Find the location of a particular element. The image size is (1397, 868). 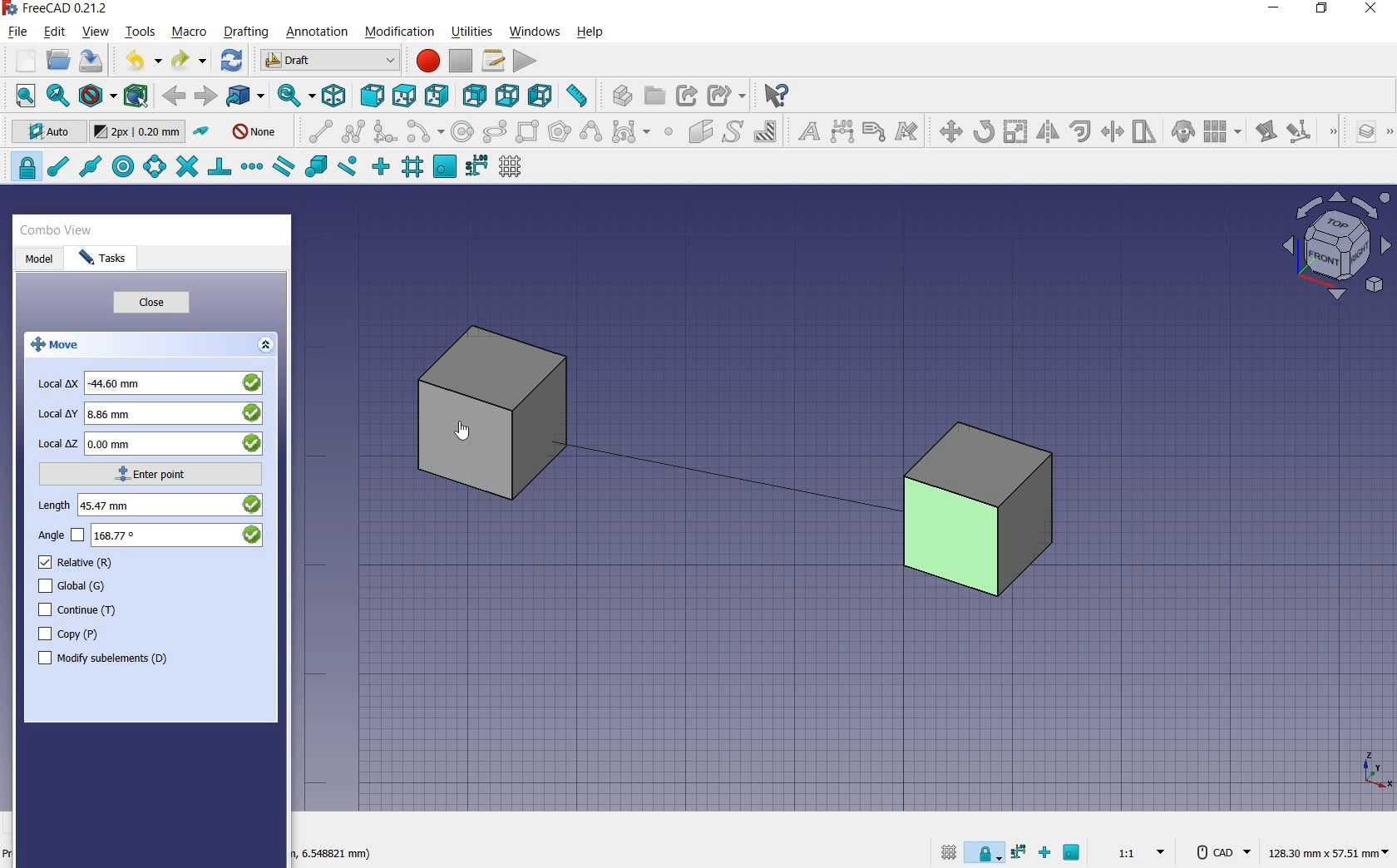

snap lock is located at coordinates (983, 855).